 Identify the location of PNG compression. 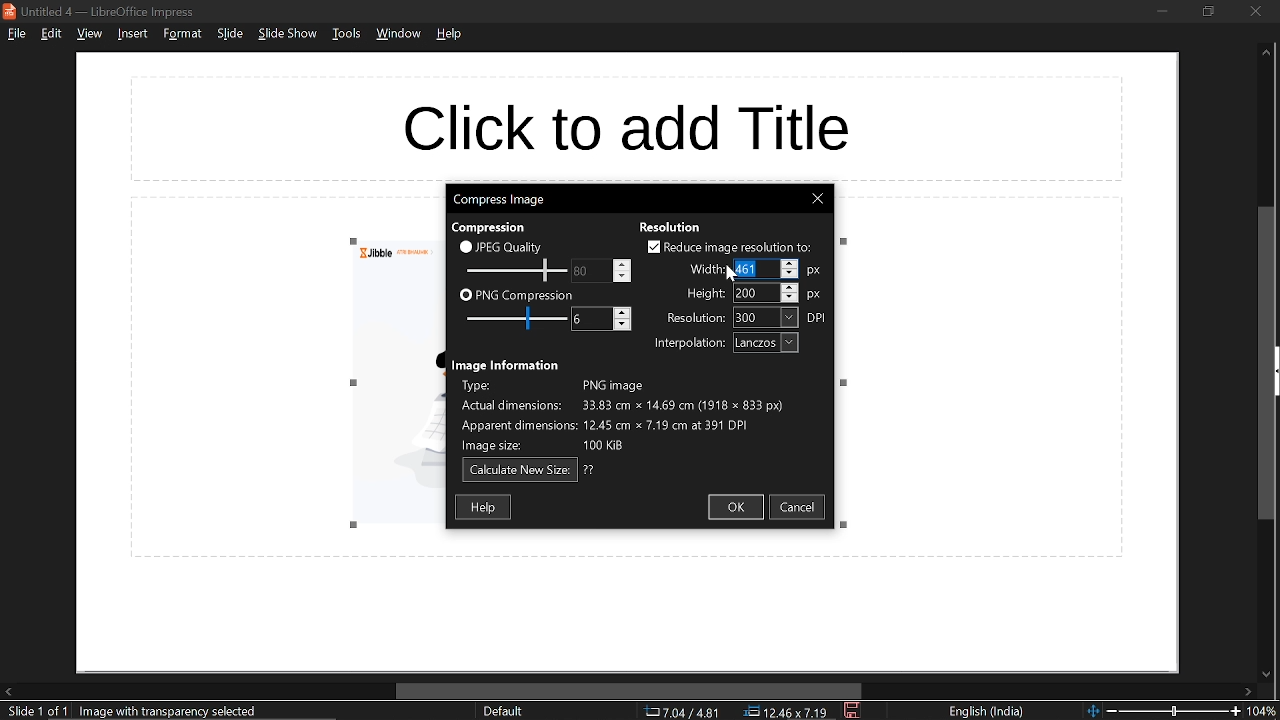
(526, 294).